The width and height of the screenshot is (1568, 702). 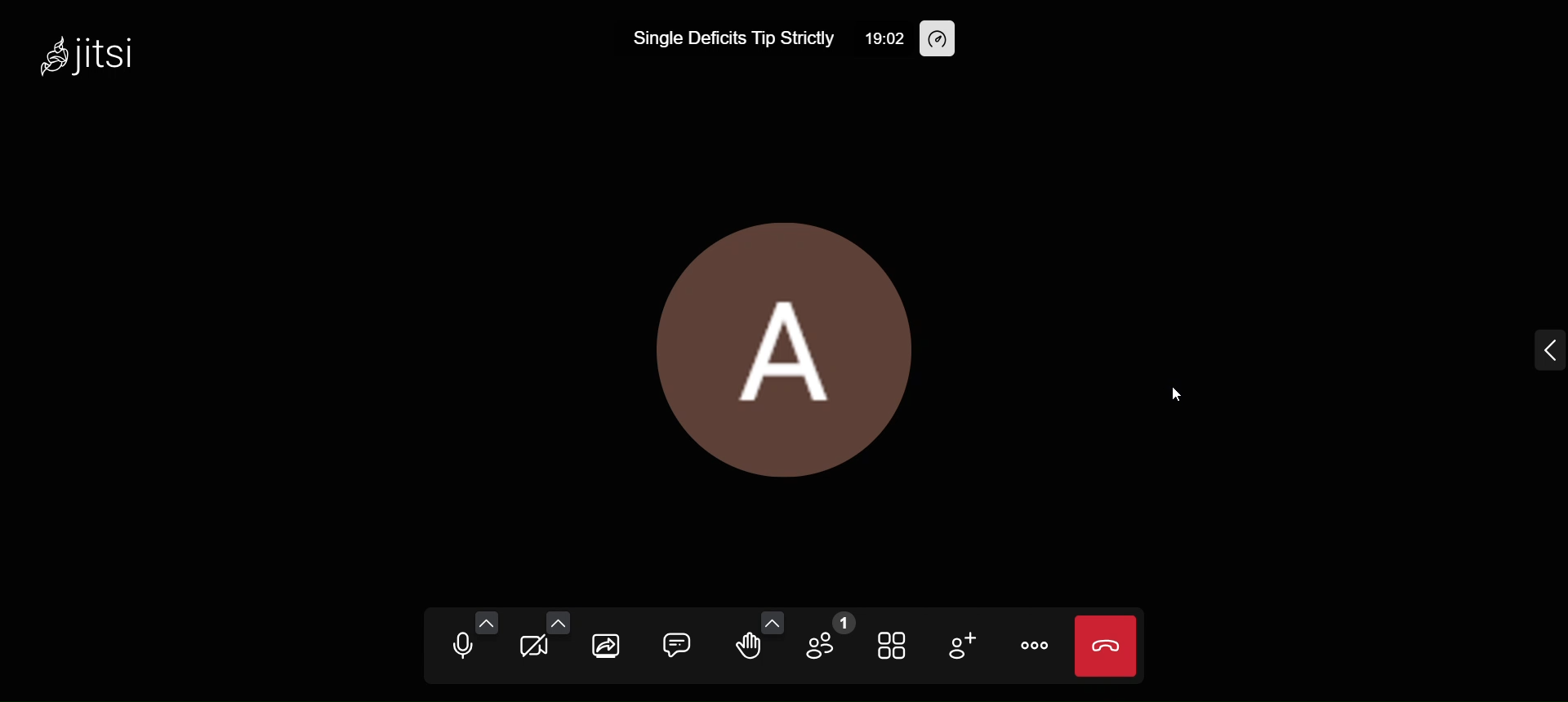 What do you see at coordinates (535, 646) in the screenshot?
I see `start camera` at bounding box center [535, 646].